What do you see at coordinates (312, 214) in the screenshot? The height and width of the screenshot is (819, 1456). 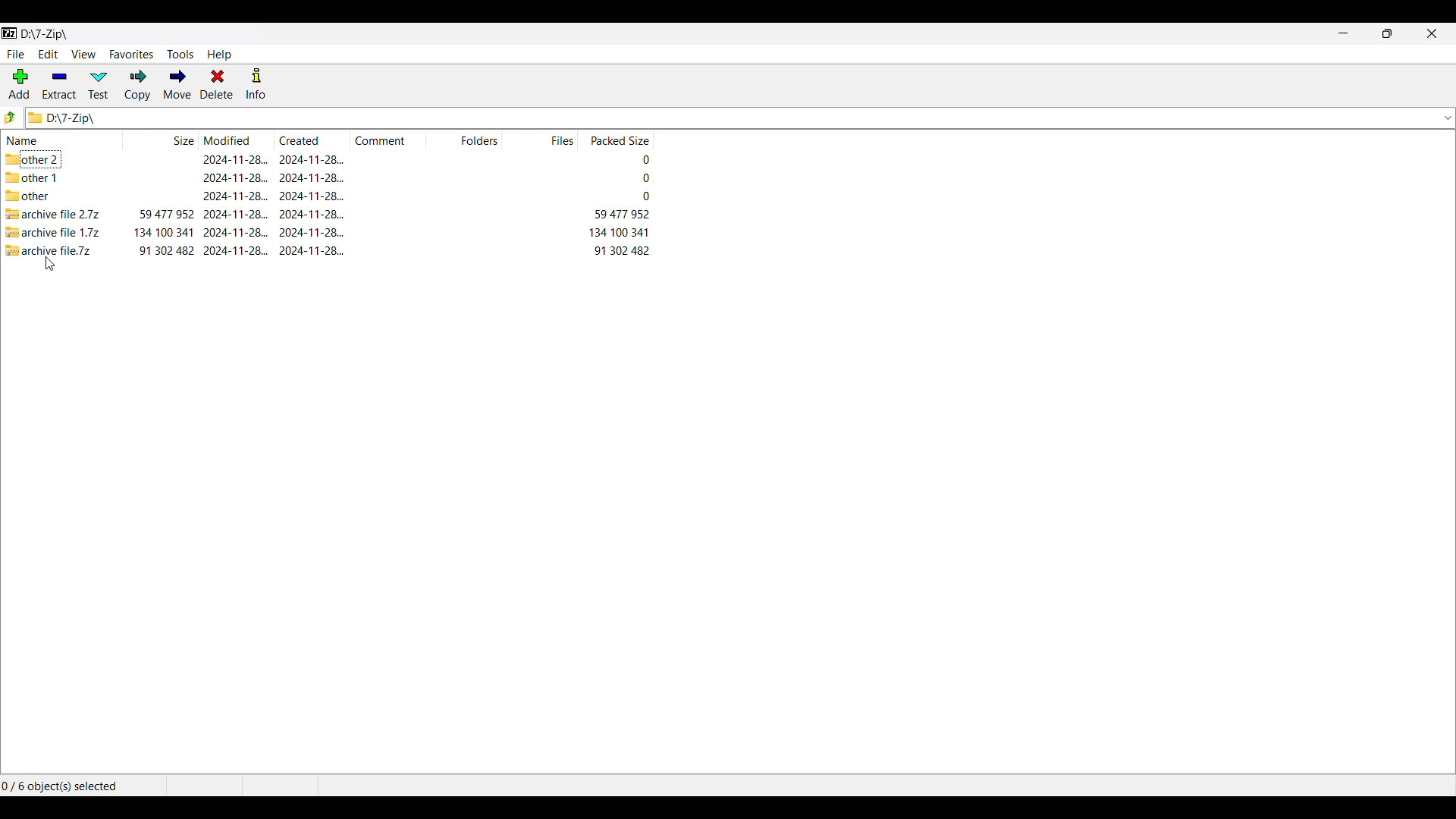 I see `created date & time` at bounding box center [312, 214].